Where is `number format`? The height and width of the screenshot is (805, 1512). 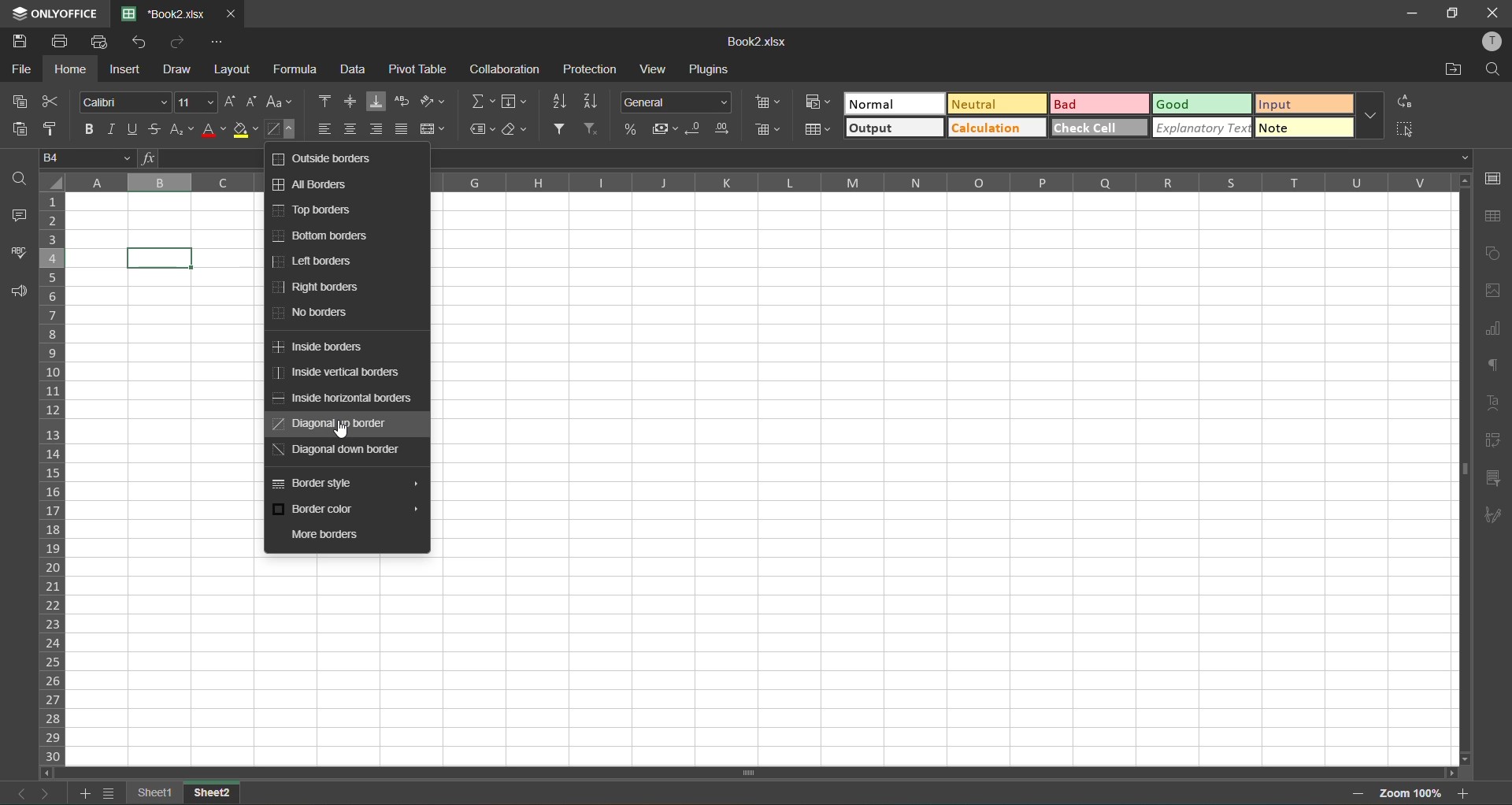
number format is located at coordinates (678, 104).